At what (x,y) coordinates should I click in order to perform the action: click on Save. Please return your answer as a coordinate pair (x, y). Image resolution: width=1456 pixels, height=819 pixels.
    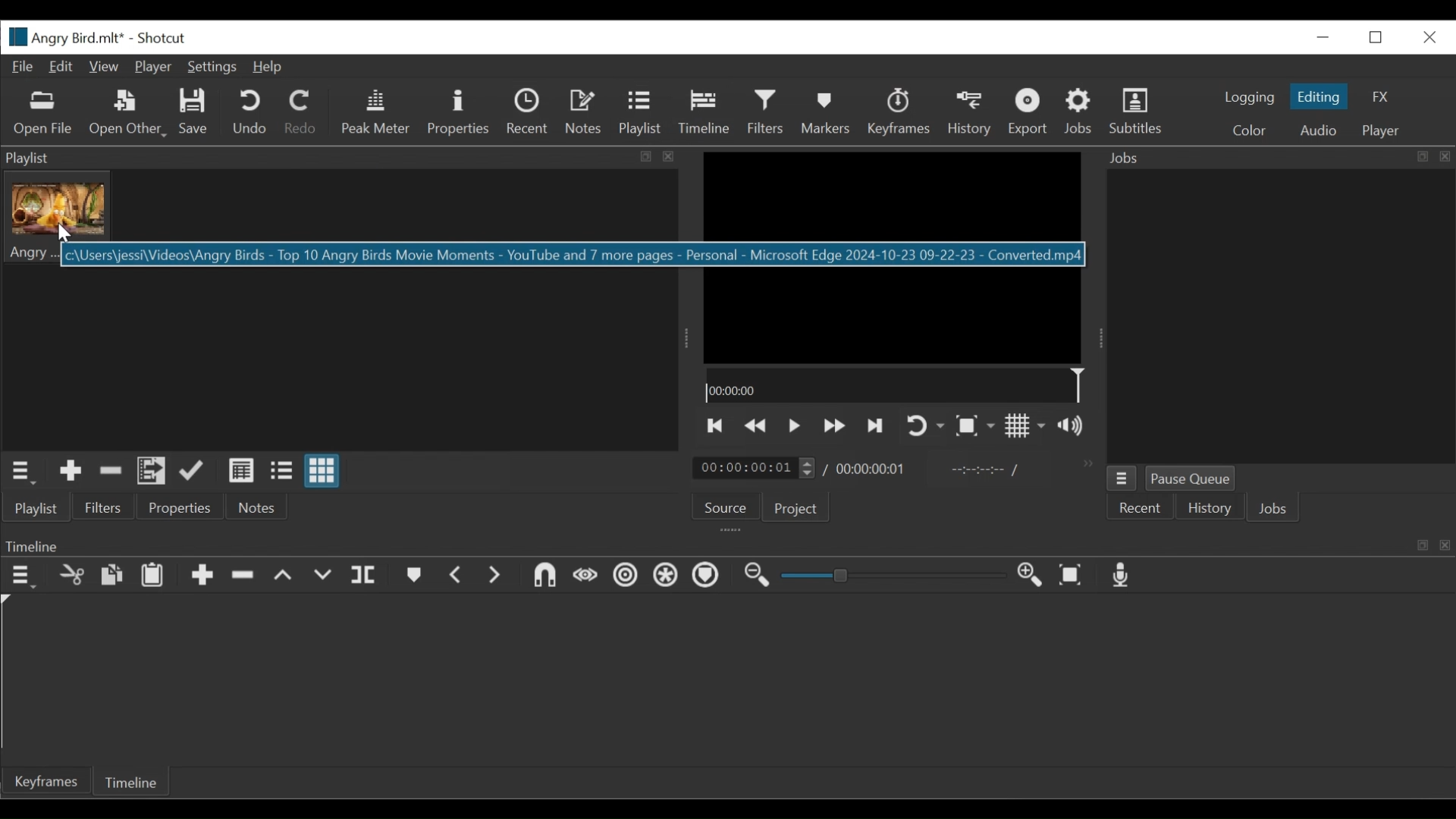
    Looking at the image, I should click on (194, 112).